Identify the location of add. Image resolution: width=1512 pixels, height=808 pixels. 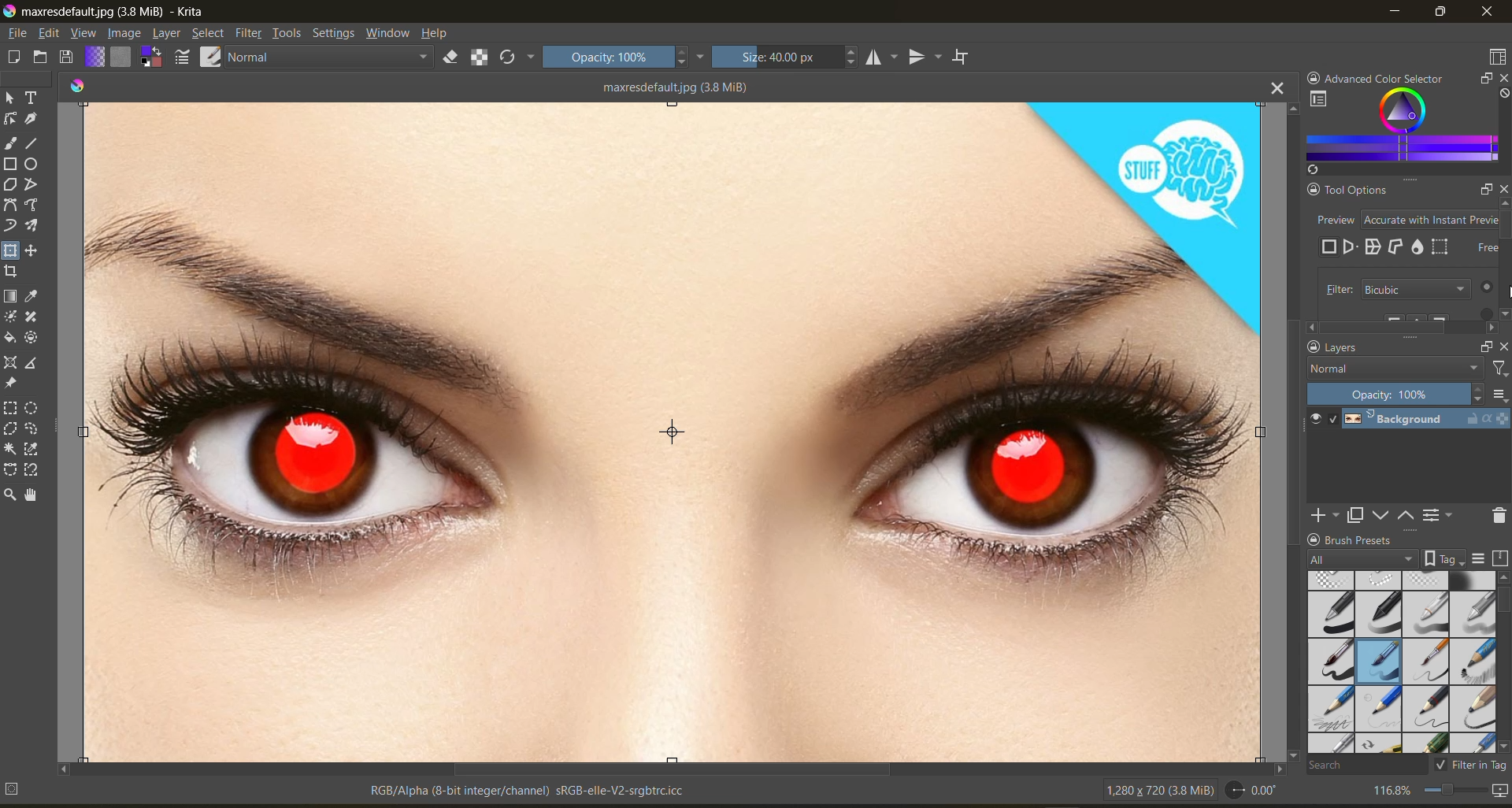
(1322, 515).